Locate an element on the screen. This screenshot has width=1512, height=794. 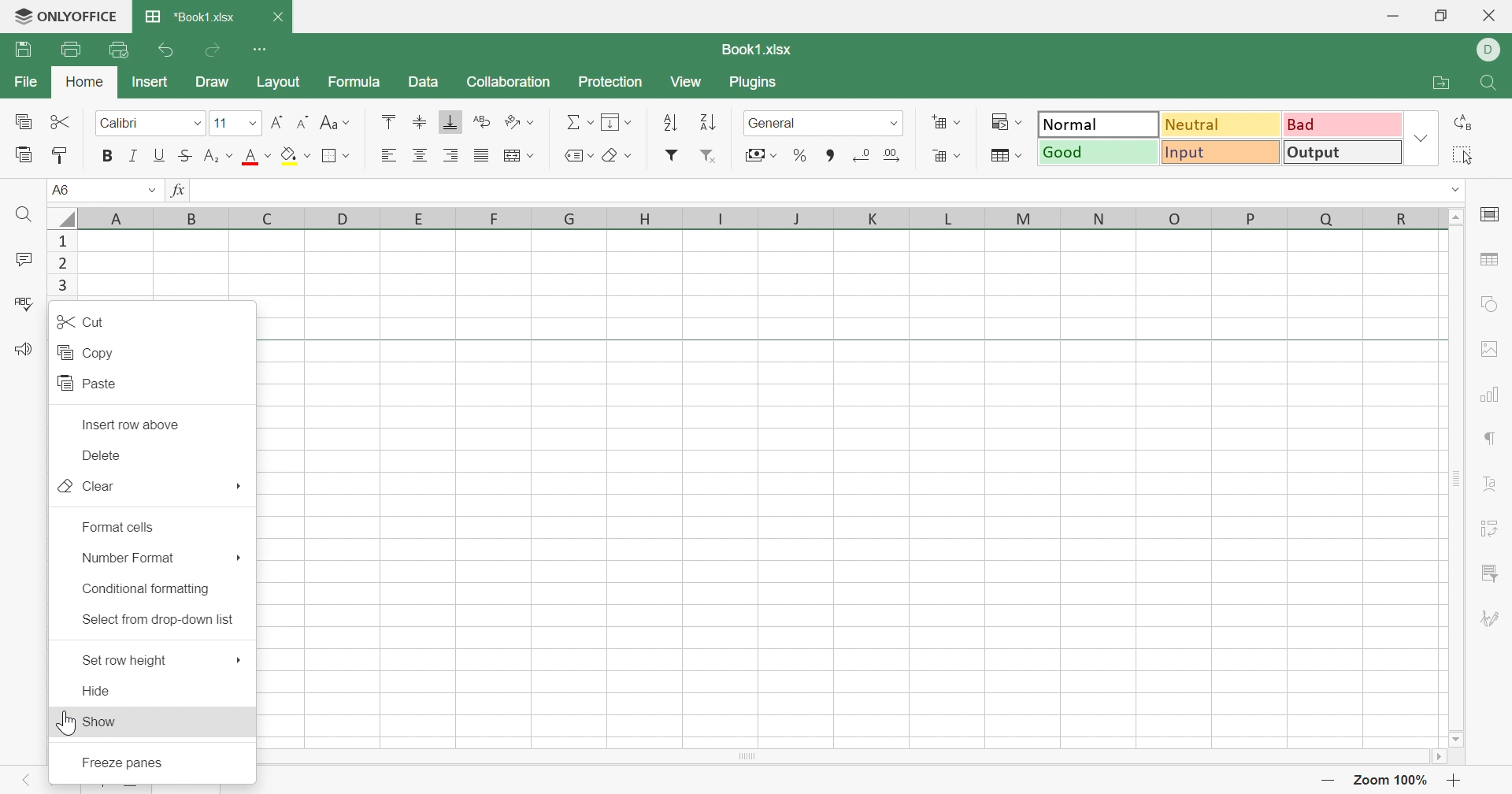
Zoom in is located at coordinates (1455, 781).